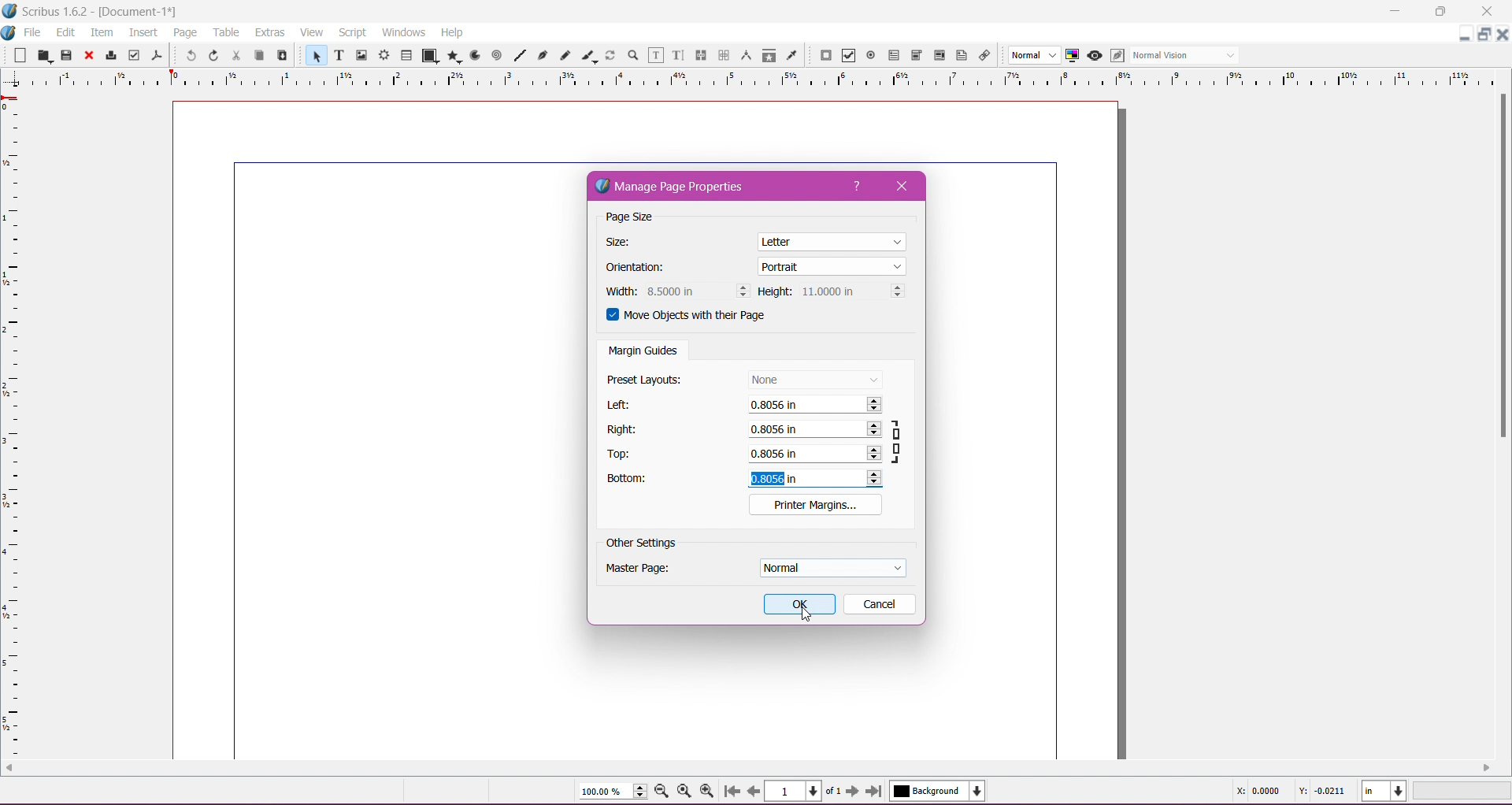  What do you see at coordinates (1320, 792) in the screenshot?
I see `Cursor Coordinate -Y ` at bounding box center [1320, 792].